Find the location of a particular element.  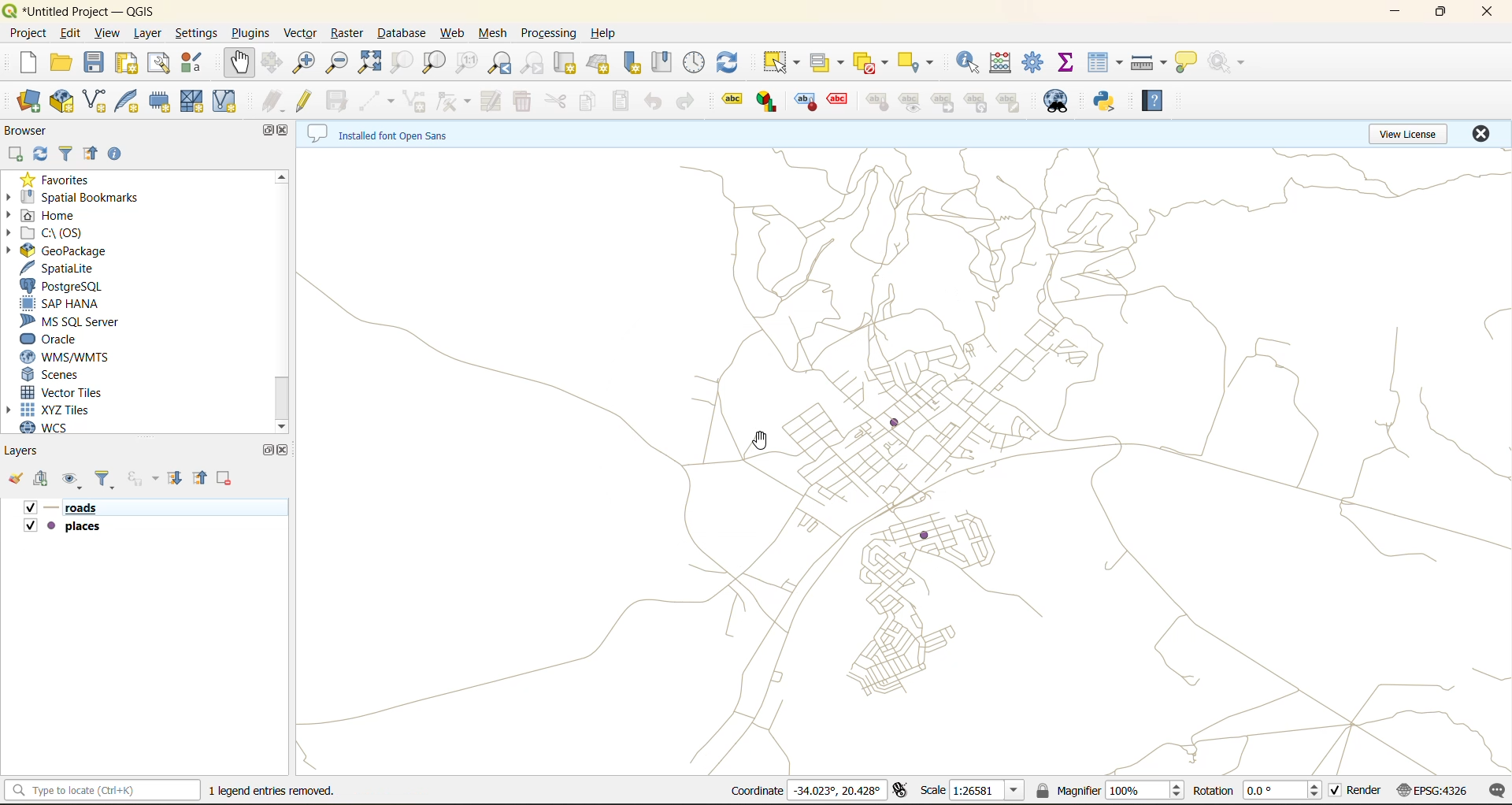

zoom layer is located at coordinates (433, 63).